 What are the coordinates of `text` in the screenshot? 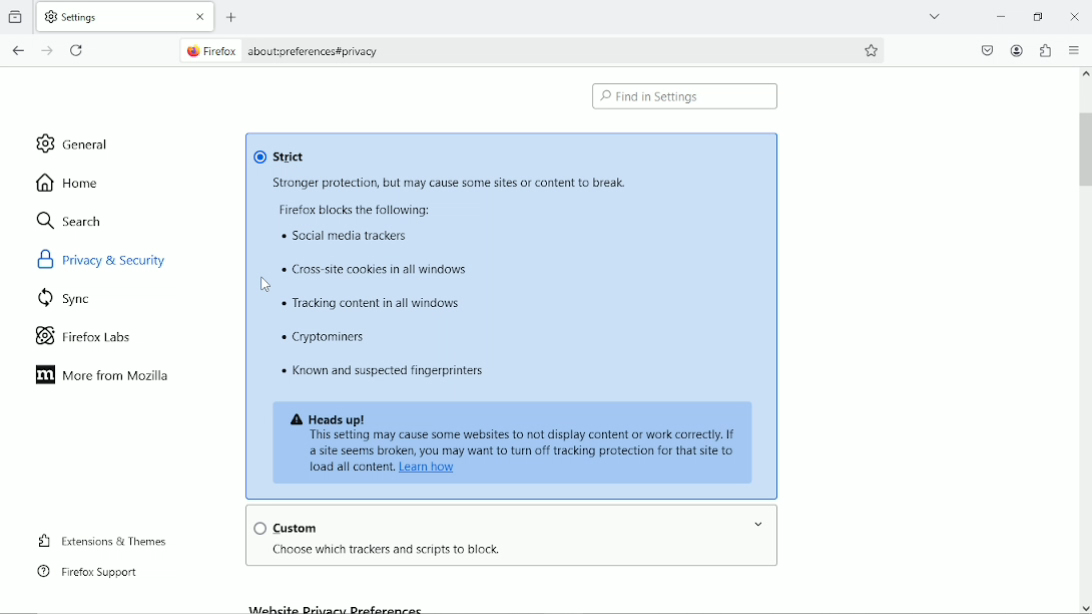 It's located at (449, 184).